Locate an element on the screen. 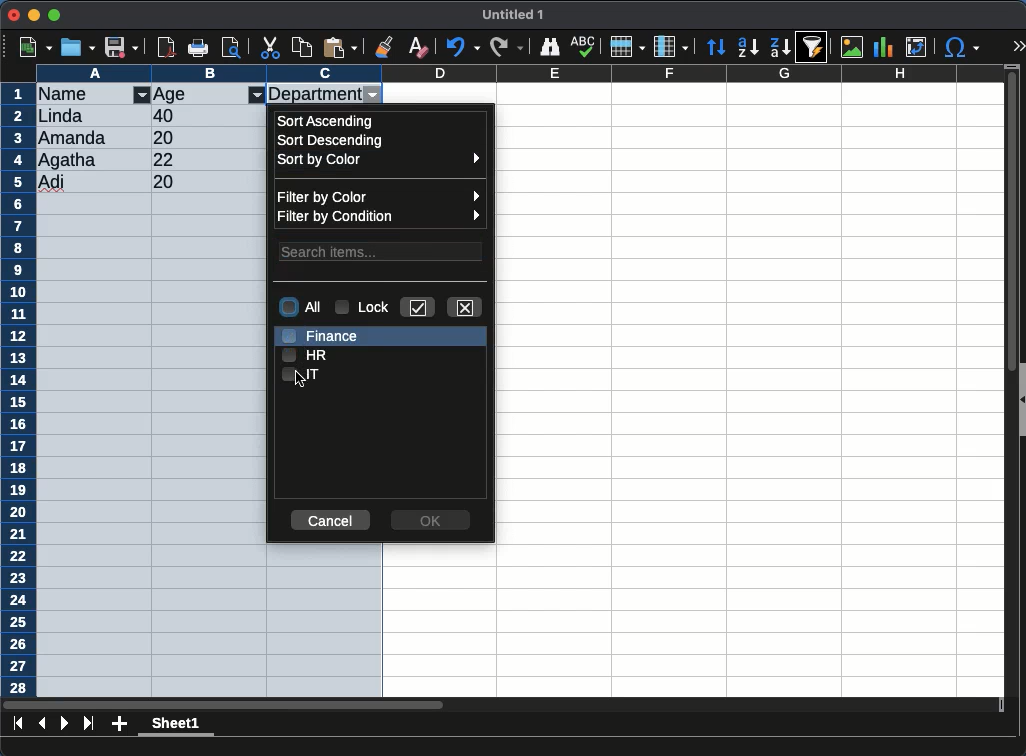 The width and height of the screenshot is (1026, 756). descending  is located at coordinates (333, 141).